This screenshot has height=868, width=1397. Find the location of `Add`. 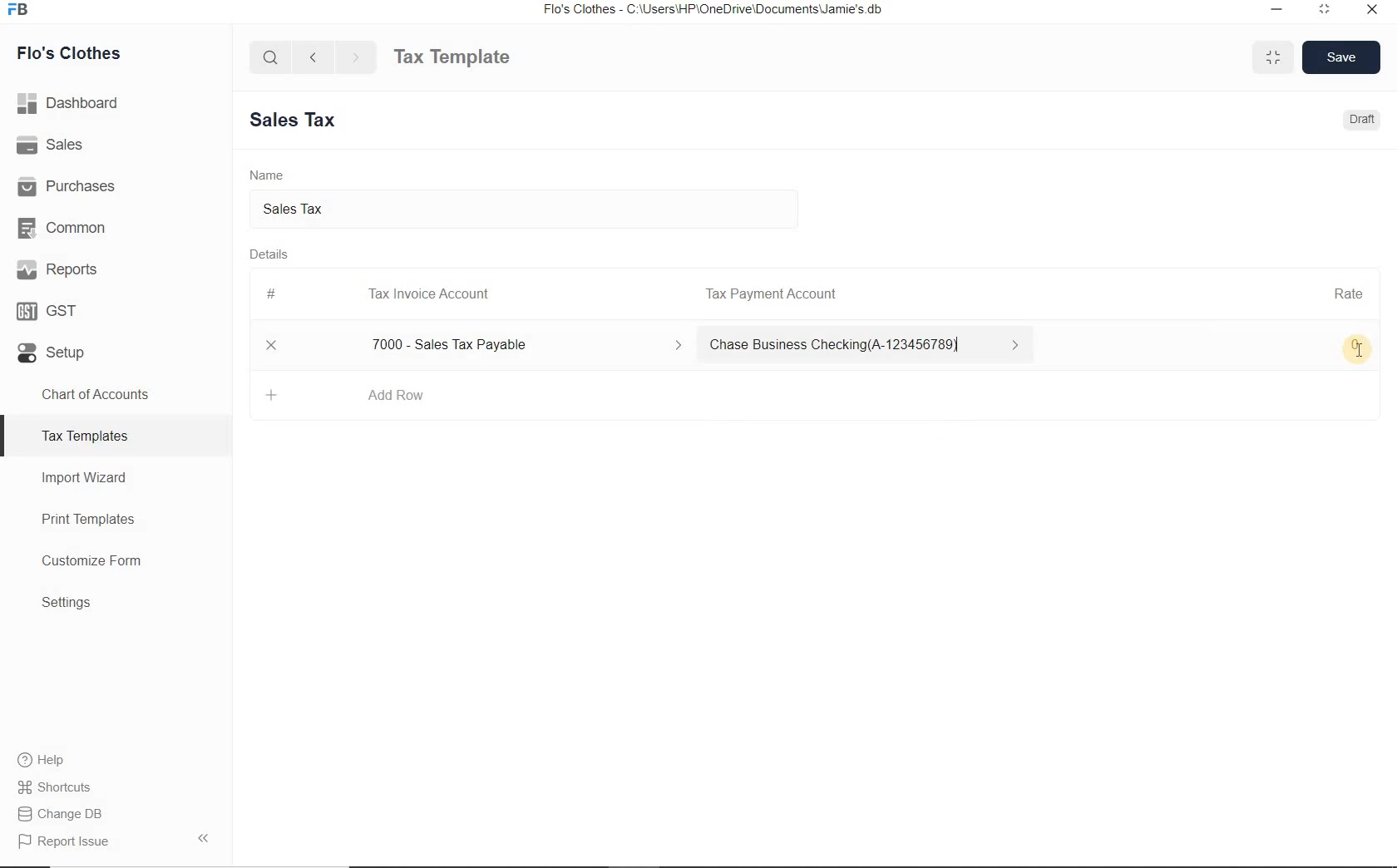

Add is located at coordinates (273, 395).